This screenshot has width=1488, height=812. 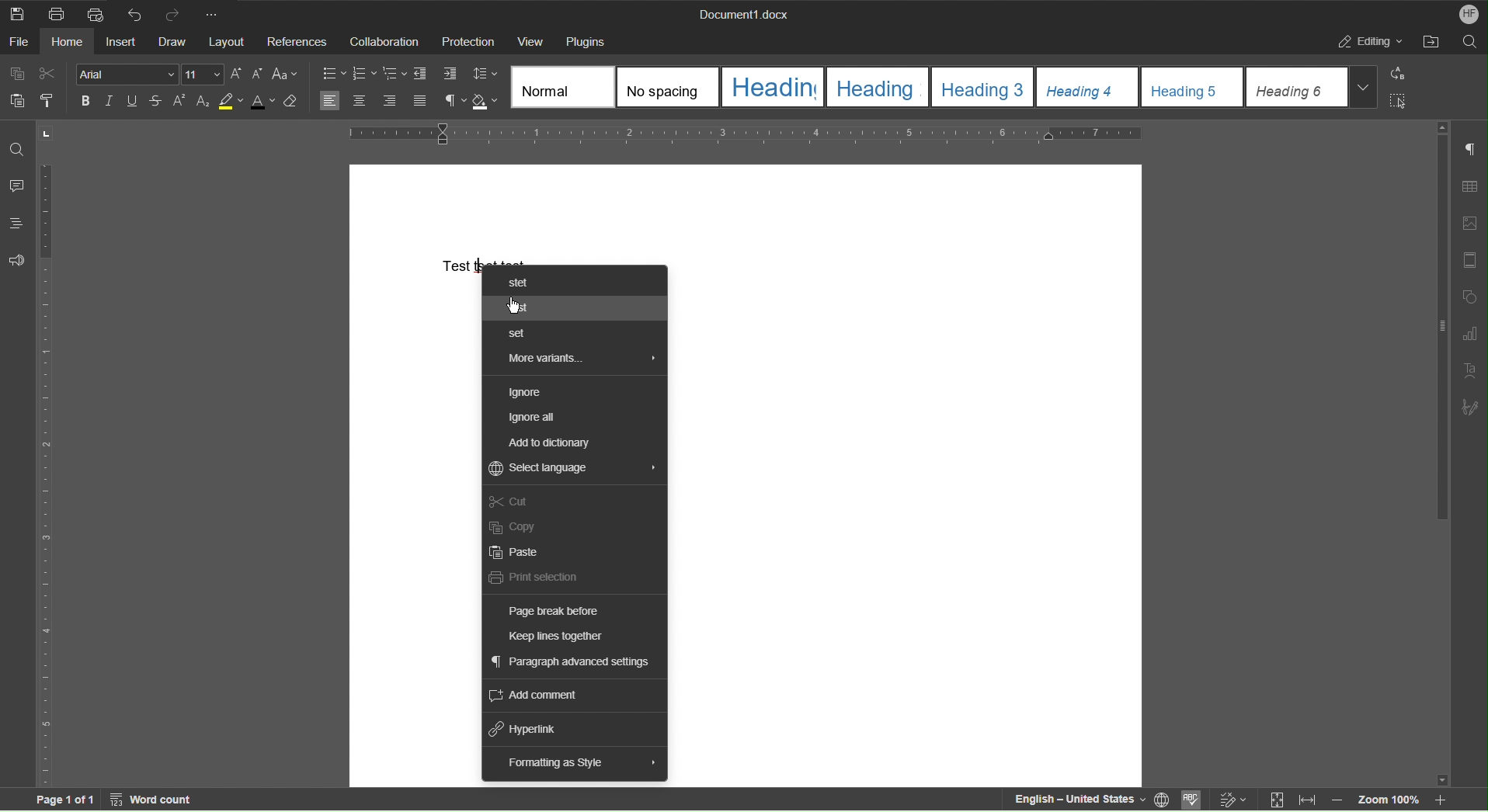 What do you see at coordinates (45, 99) in the screenshot?
I see `Copy Style` at bounding box center [45, 99].